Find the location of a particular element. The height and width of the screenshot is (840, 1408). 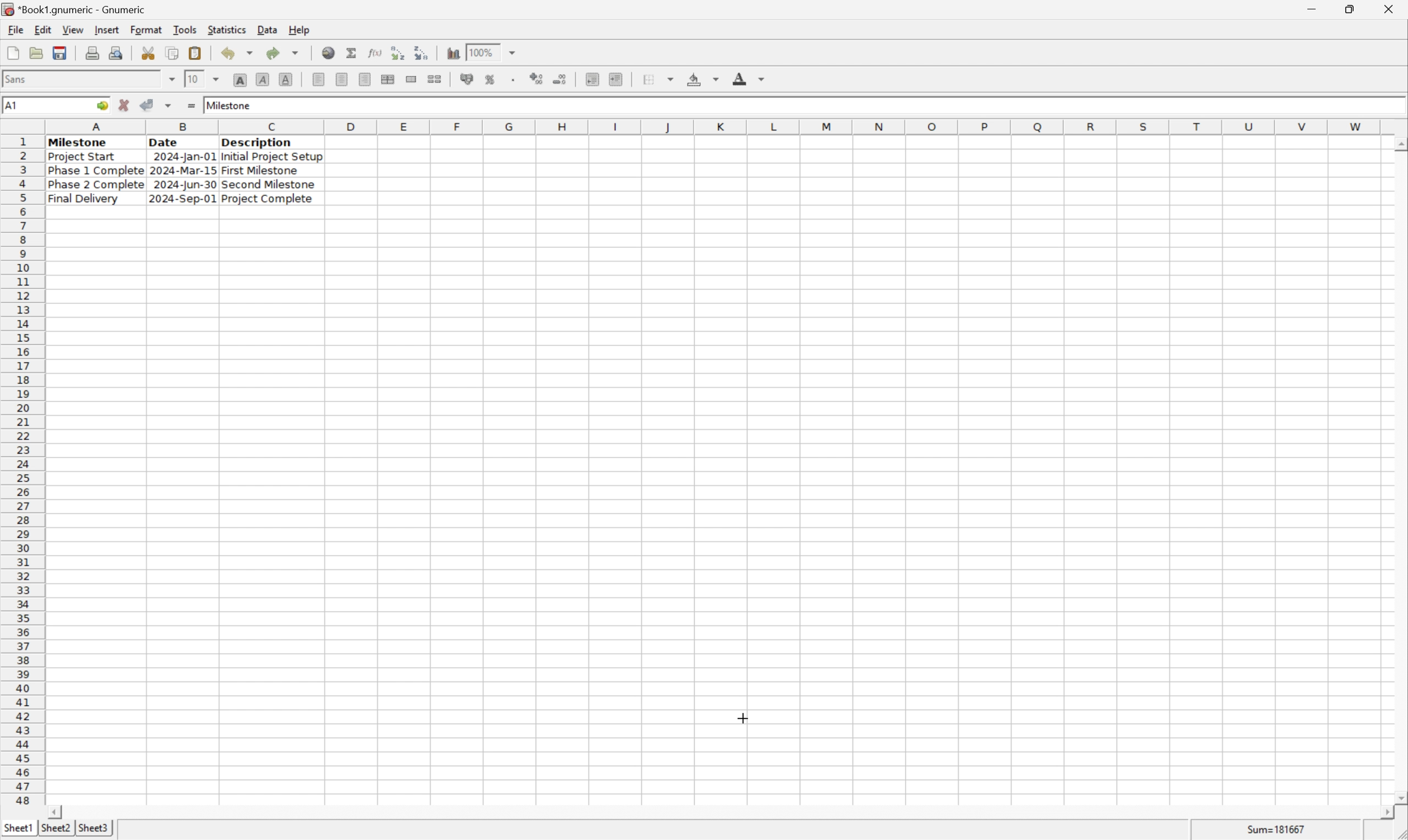

Sum=181667 is located at coordinates (1278, 828).